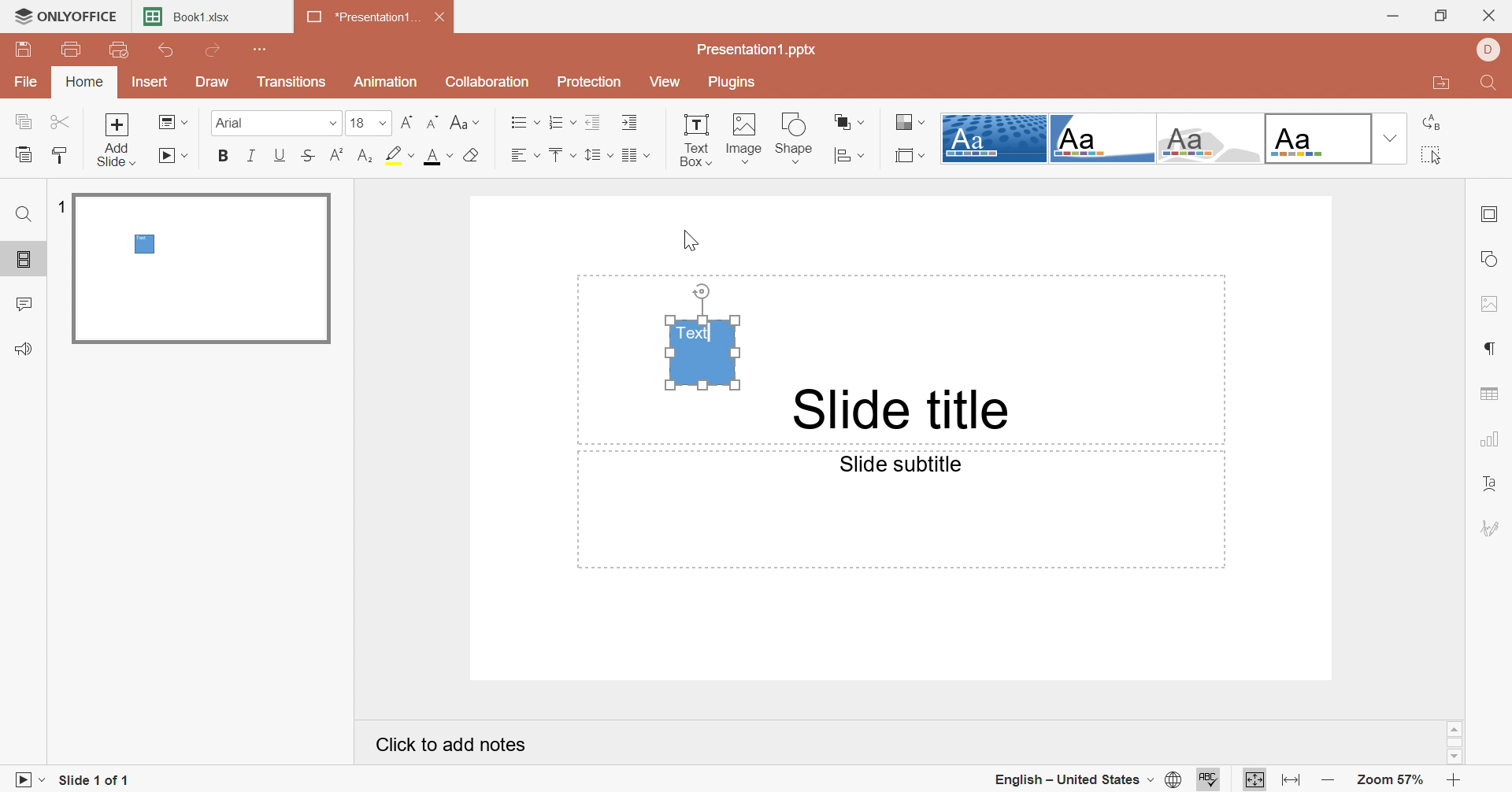  What do you see at coordinates (1289, 779) in the screenshot?
I see `Fit to width` at bounding box center [1289, 779].